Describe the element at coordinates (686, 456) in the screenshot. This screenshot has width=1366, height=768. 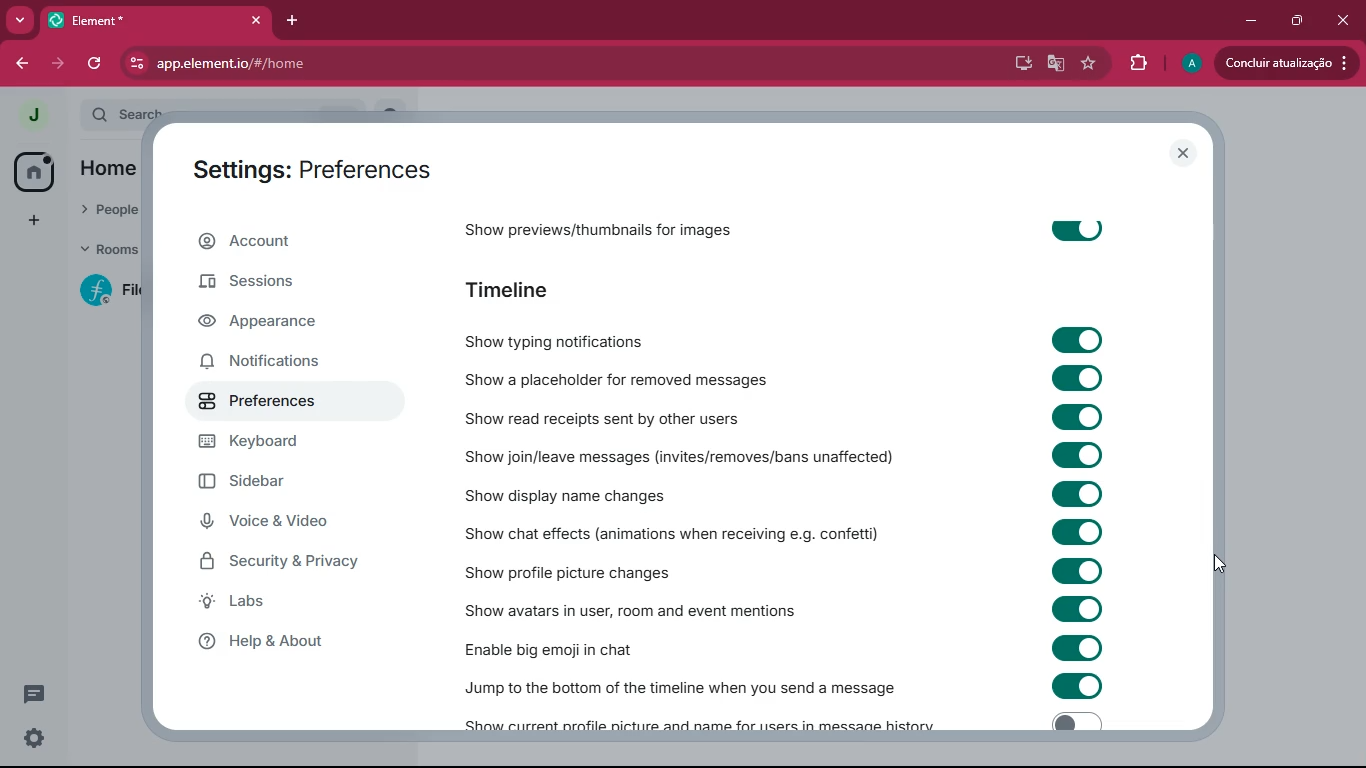
I see `show join / leave messages (invites/removes/ban unaffected)` at that location.